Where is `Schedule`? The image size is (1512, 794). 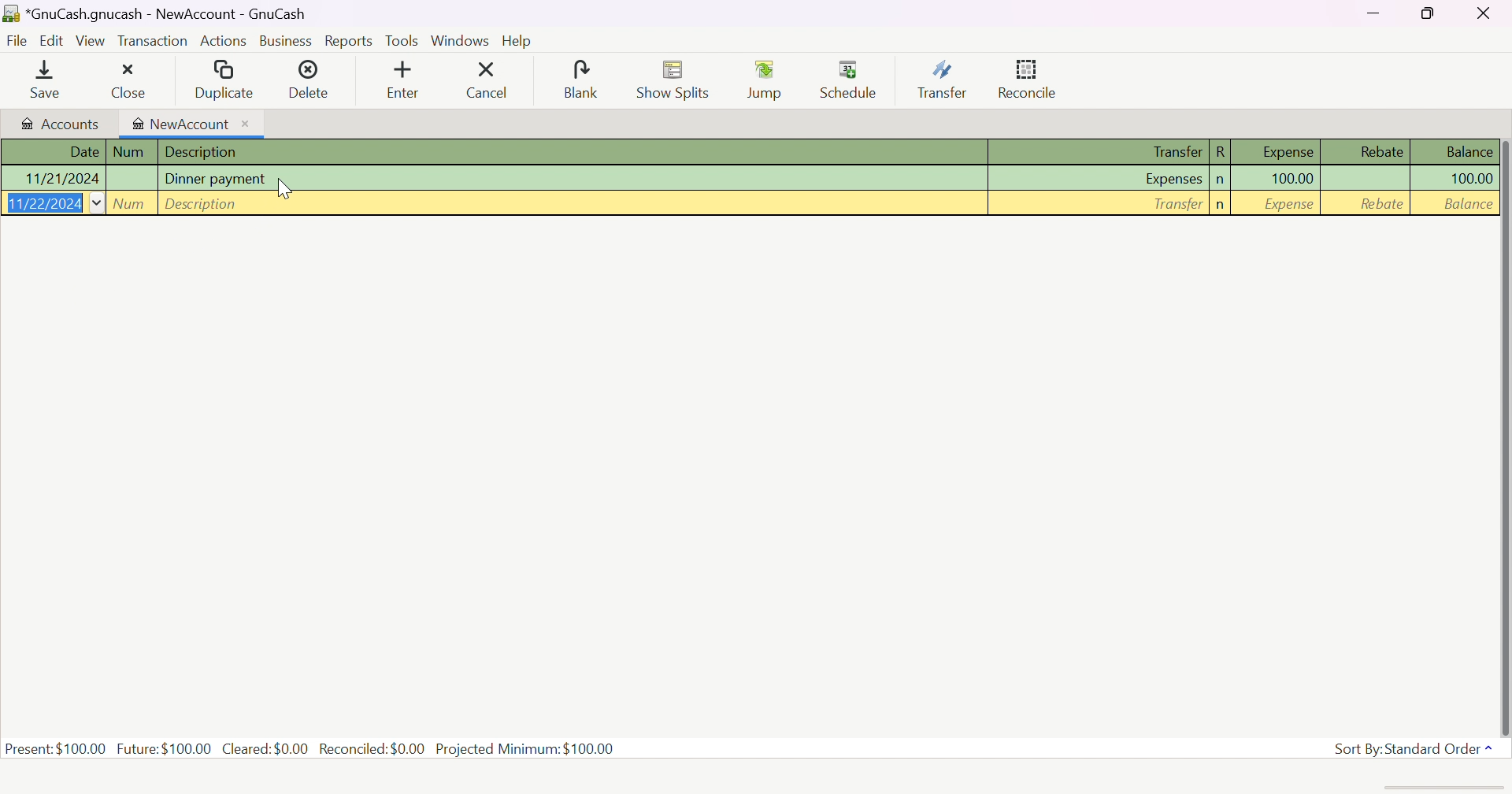
Schedule is located at coordinates (850, 80).